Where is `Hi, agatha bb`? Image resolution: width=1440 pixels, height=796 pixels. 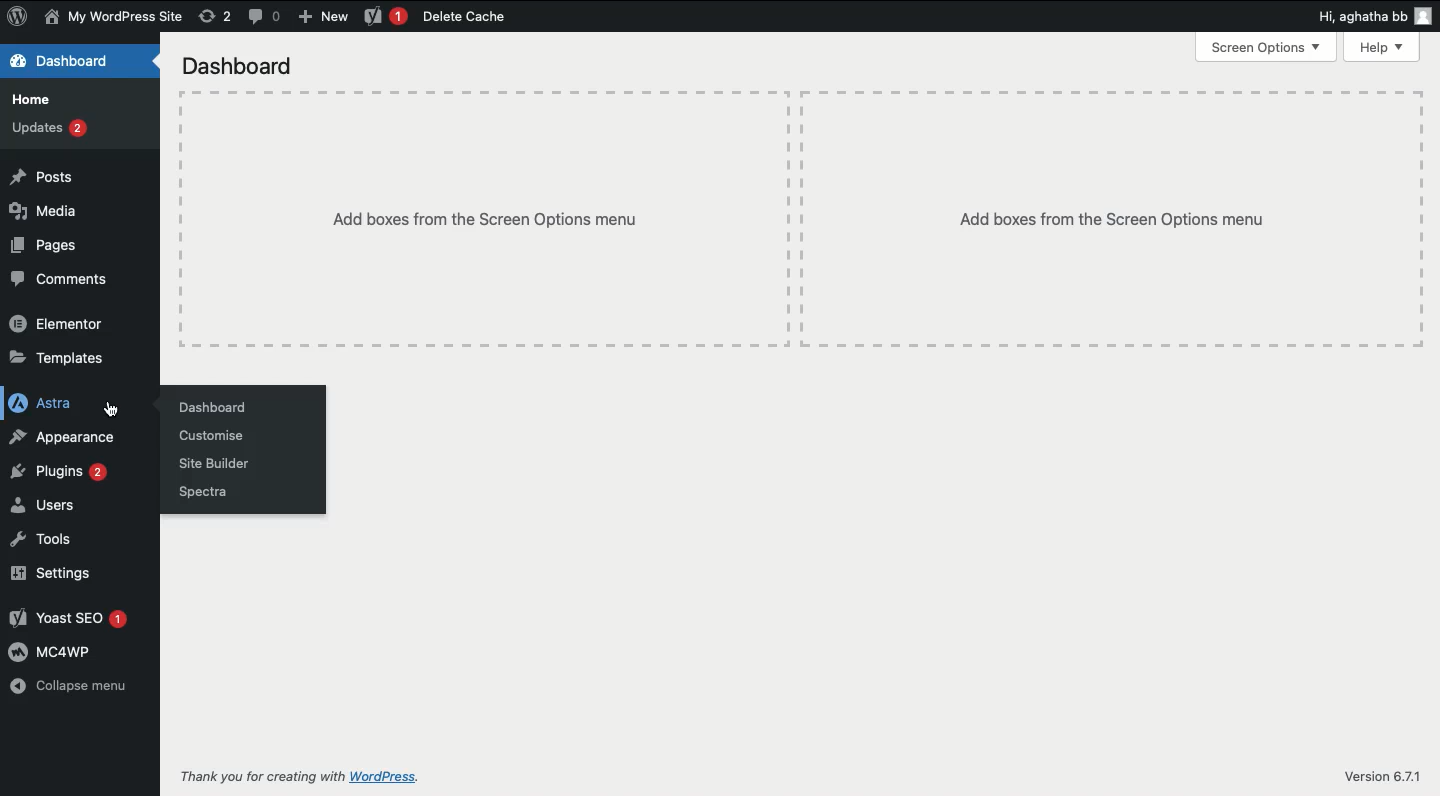
Hi, agatha bb is located at coordinates (1358, 19).